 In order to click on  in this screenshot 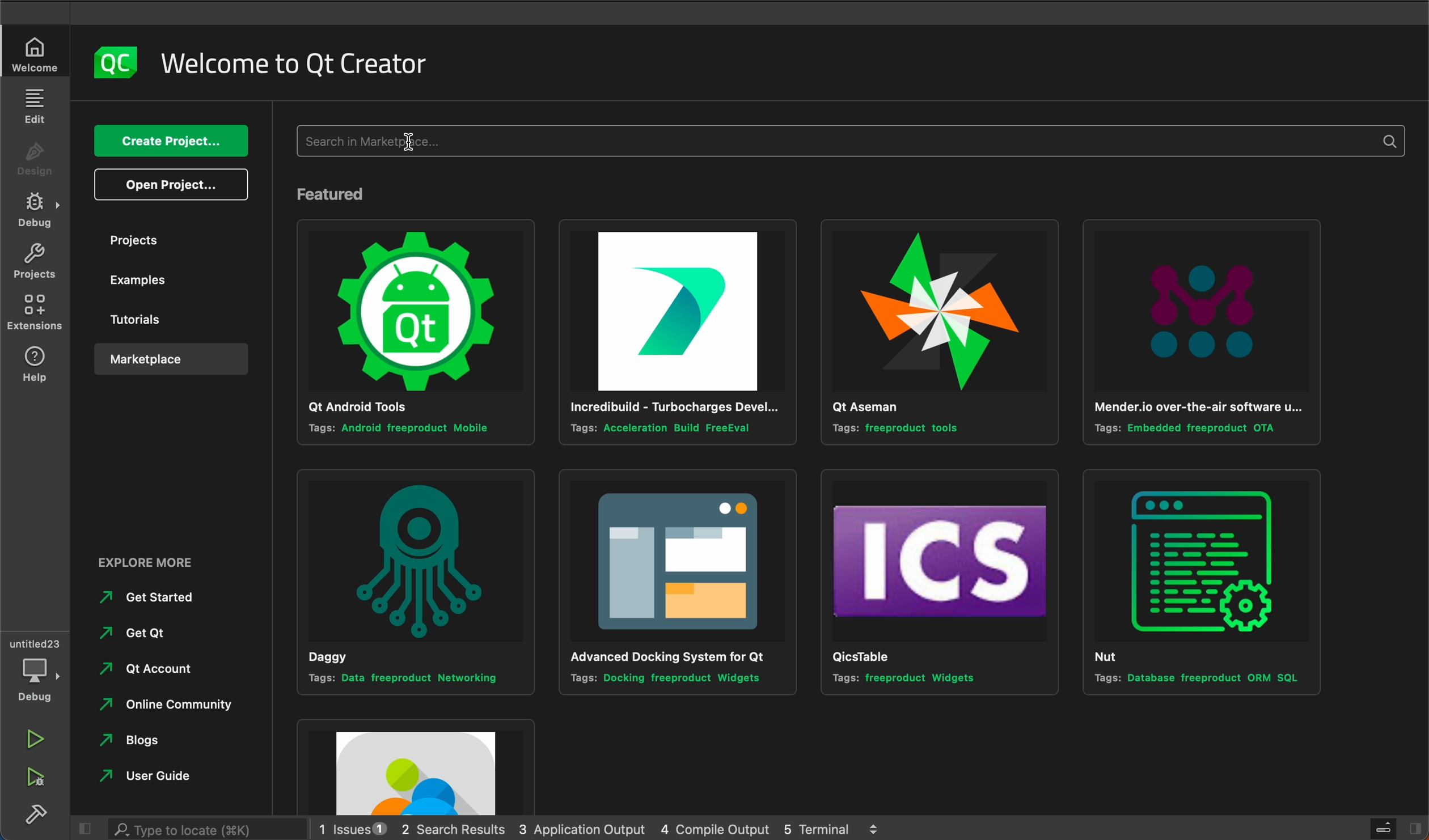, I will do `click(1201, 335)`.